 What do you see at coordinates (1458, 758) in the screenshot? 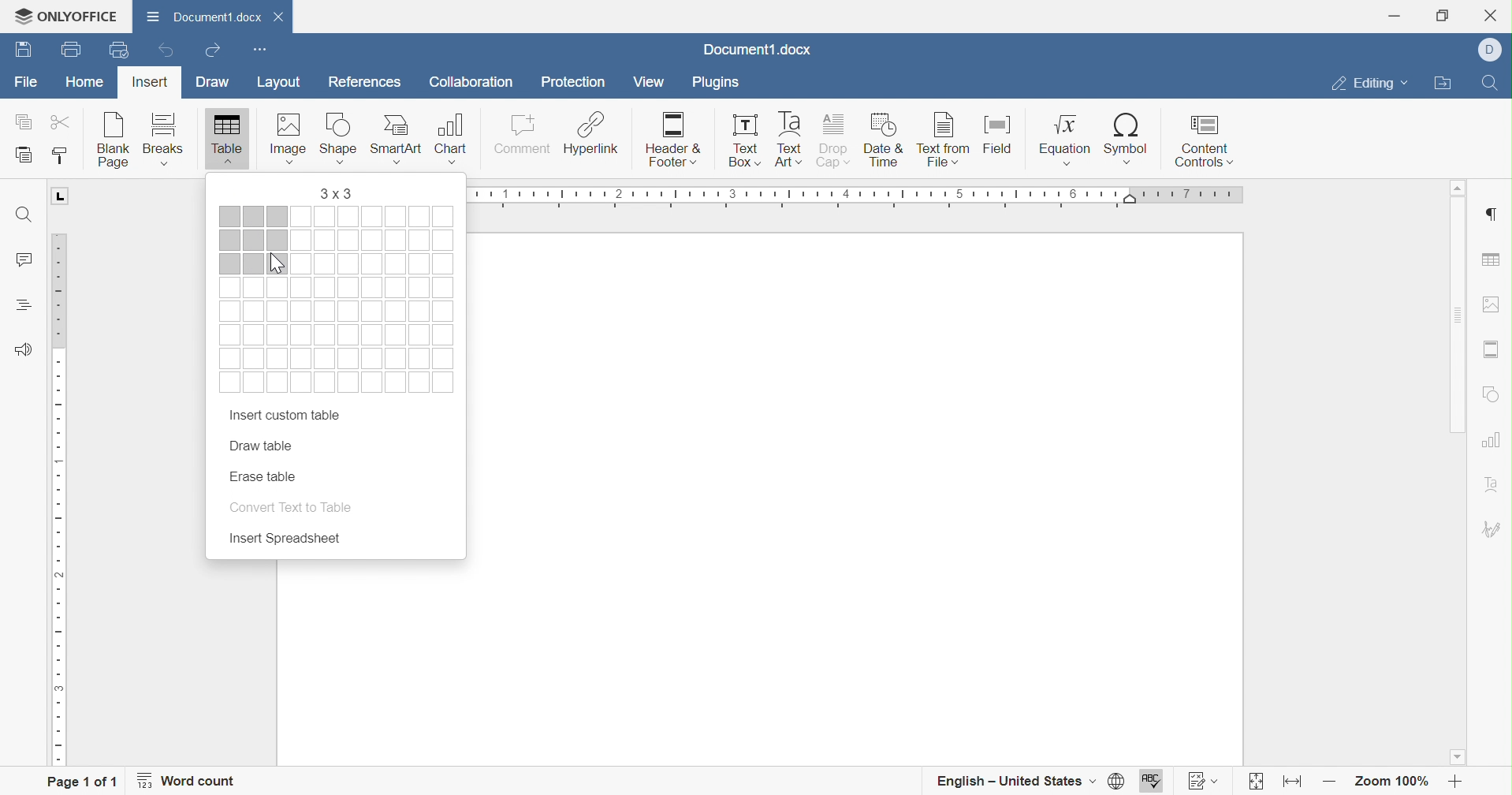
I see `Scroll down` at bounding box center [1458, 758].